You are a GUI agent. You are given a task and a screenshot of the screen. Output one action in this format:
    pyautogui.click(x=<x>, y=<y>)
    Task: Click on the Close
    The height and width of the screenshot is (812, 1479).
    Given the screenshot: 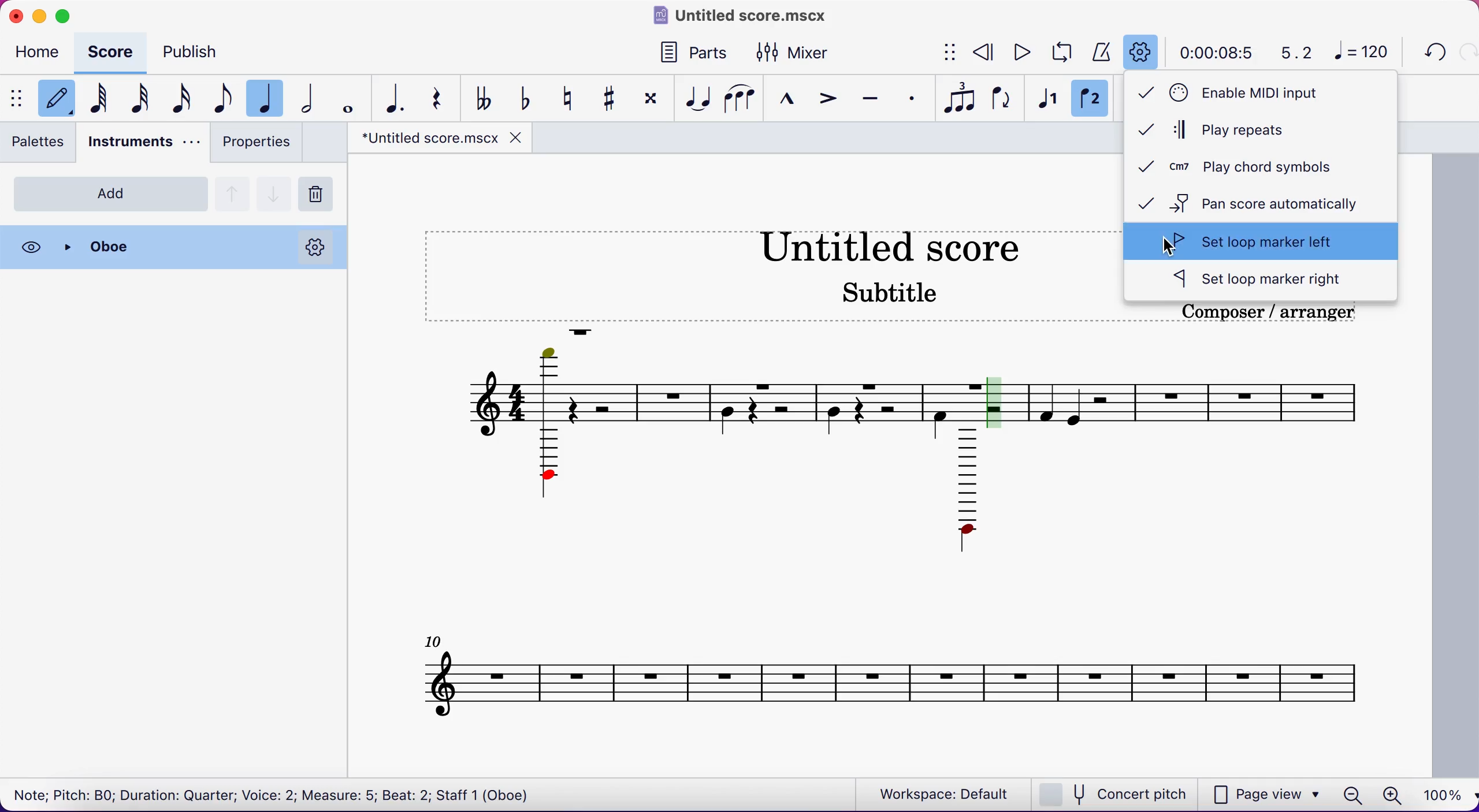 What is the action you would take?
    pyautogui.click(x=160, y=248)
    